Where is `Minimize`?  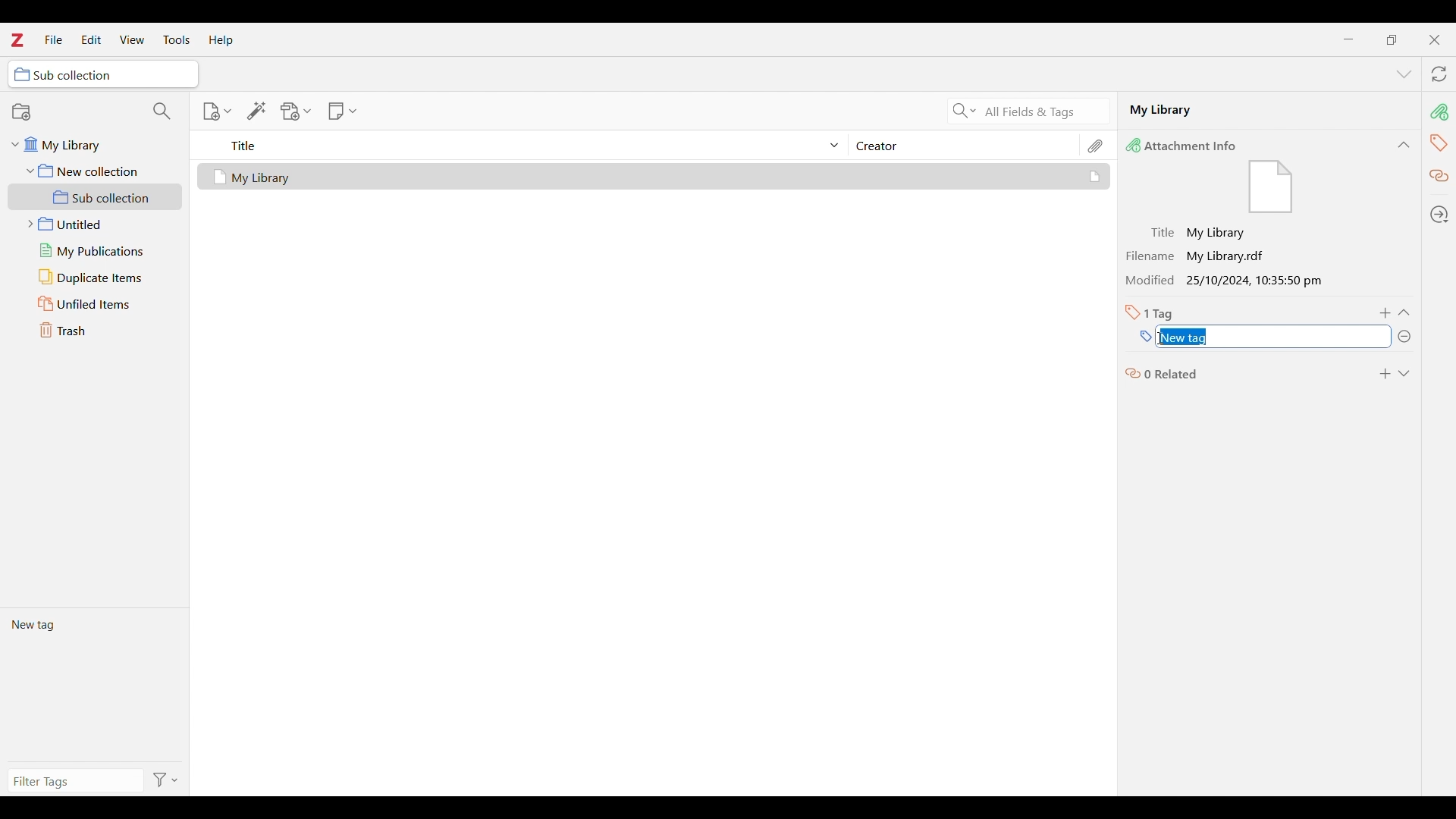 Minimize is located at coordinates (1349, 39).